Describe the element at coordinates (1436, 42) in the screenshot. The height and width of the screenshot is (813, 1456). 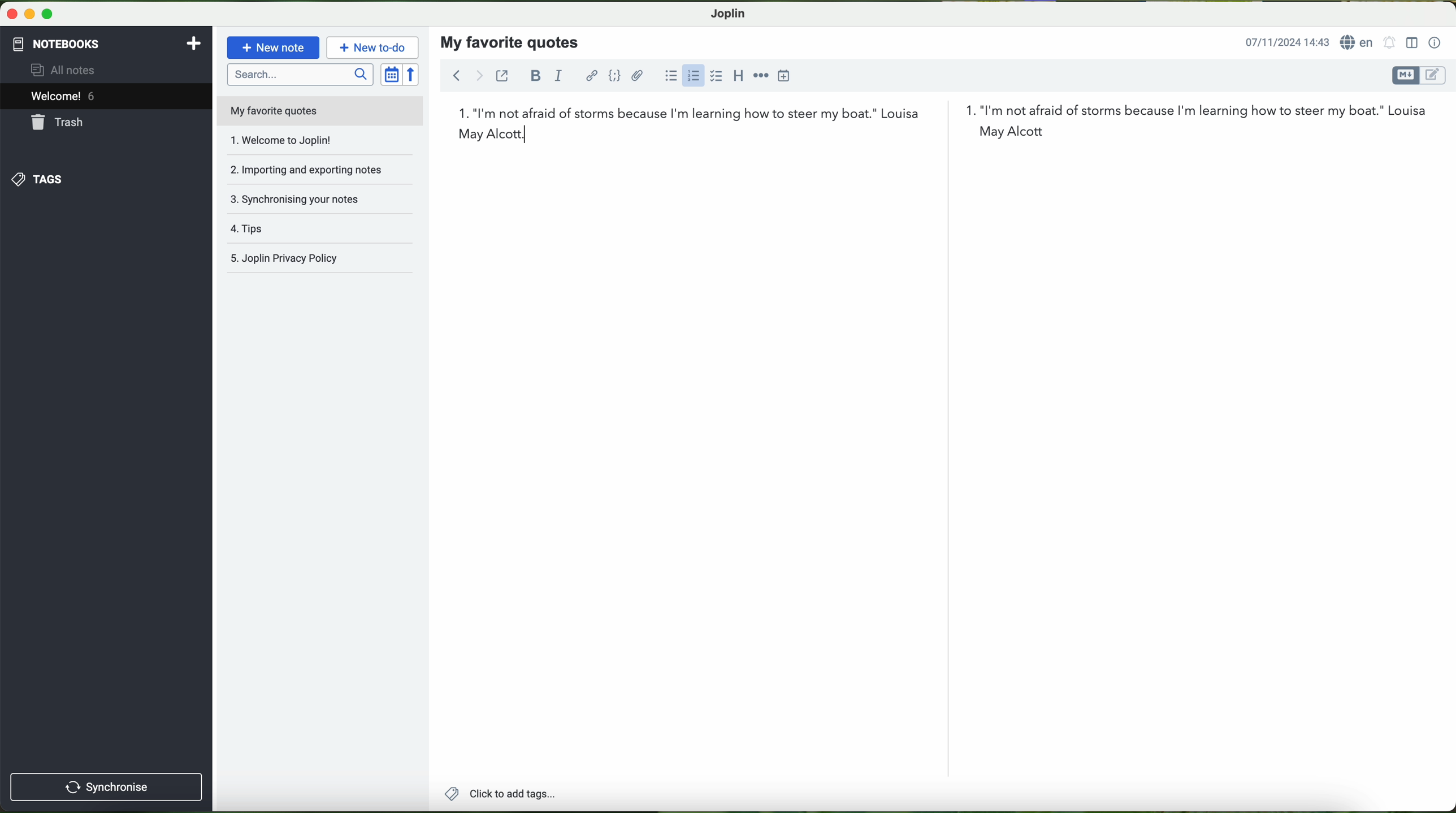
I see `note properties` at that location.